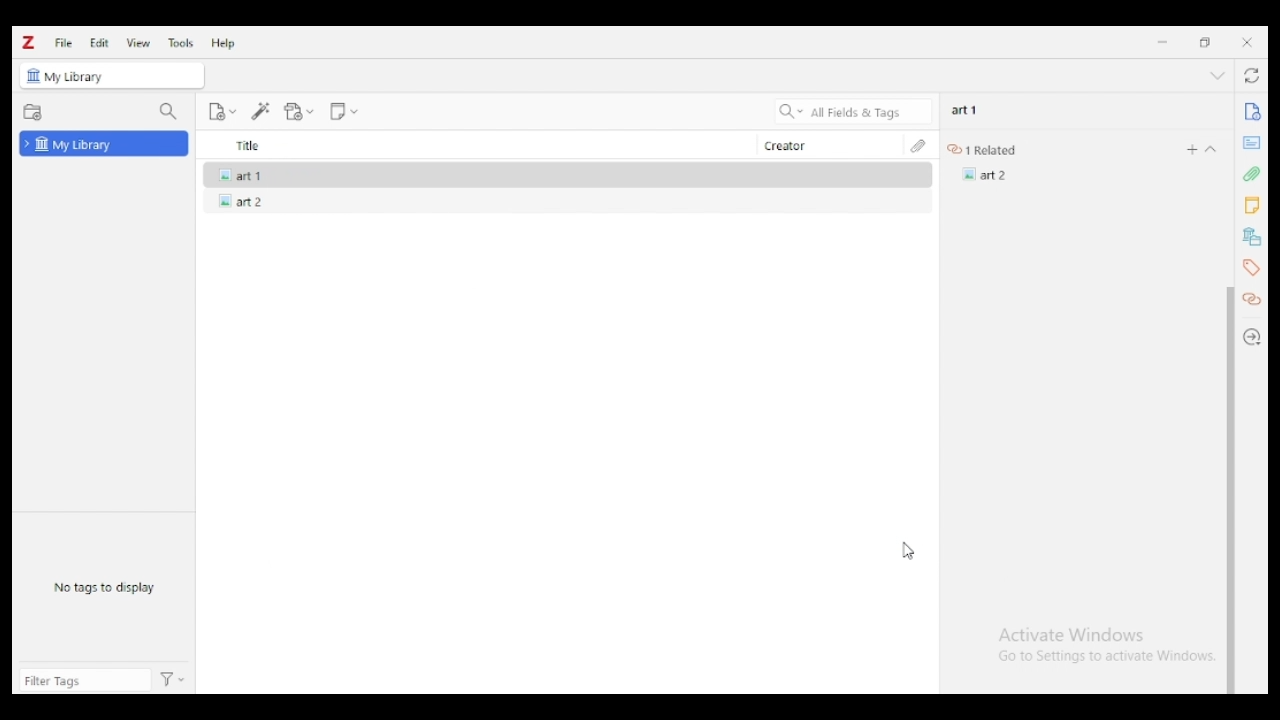 This screenshot has height=720, width=1280. I want to click on 1 related, so click(987, 150).